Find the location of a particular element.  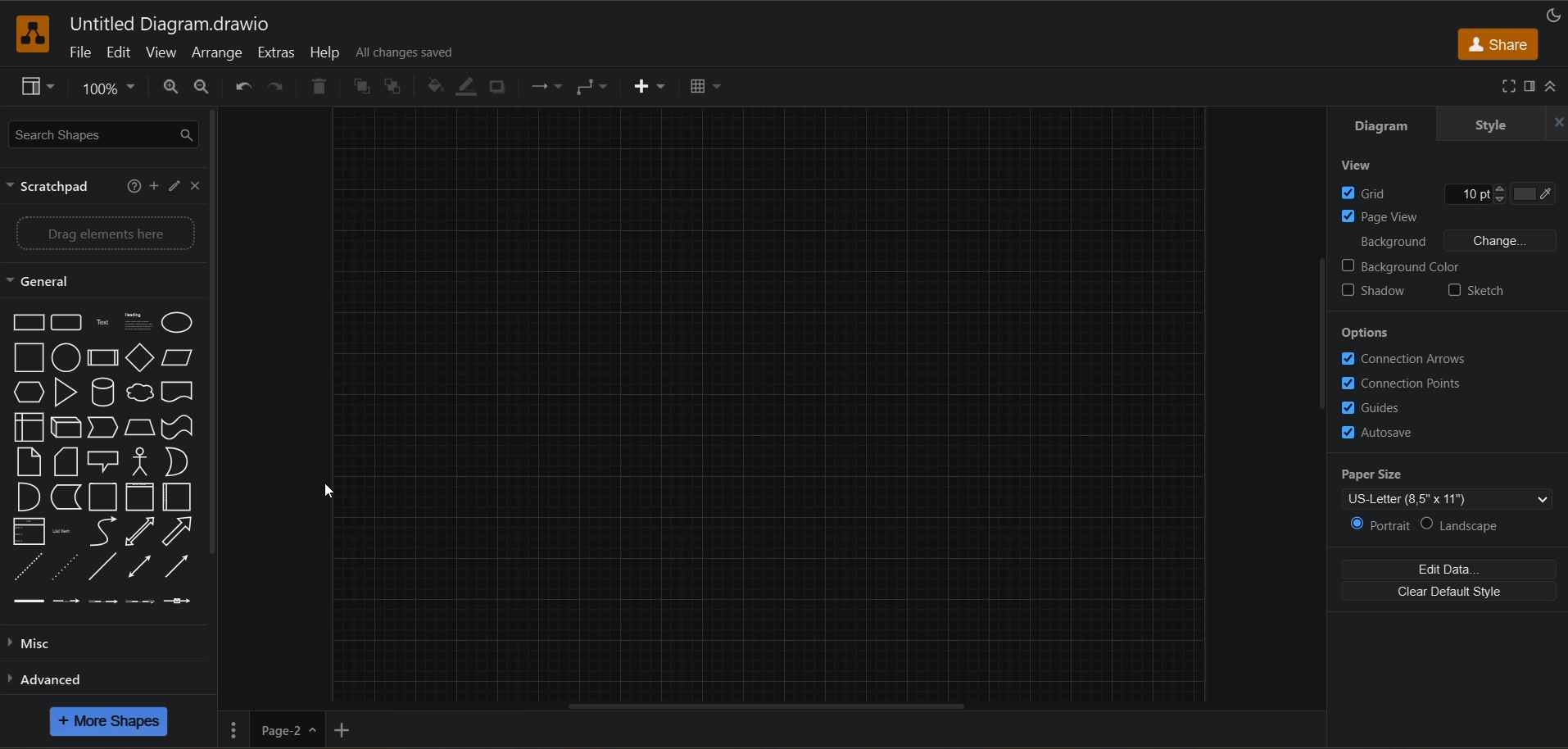

connection paths is located at coordinates (1407, 384).